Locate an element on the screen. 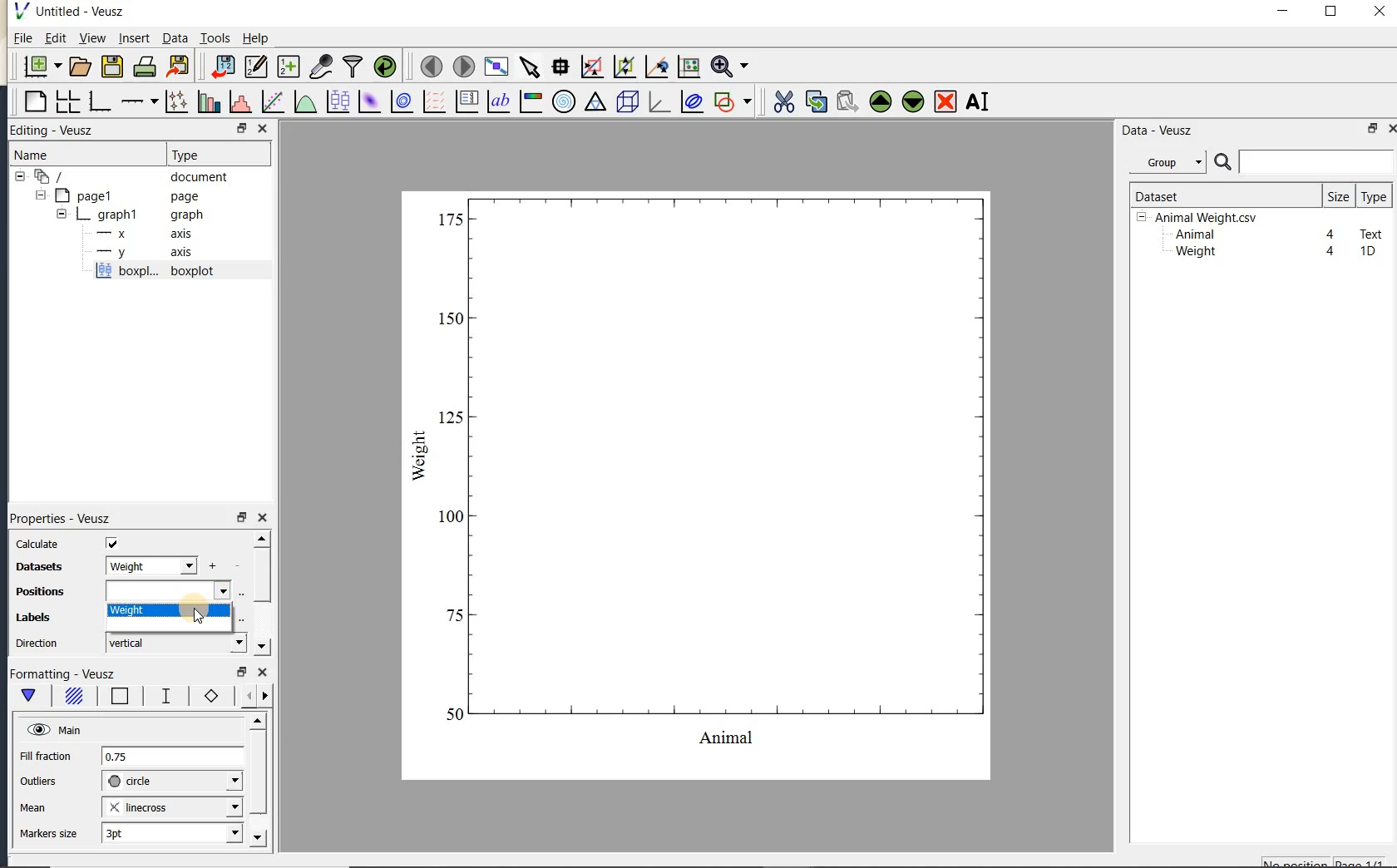 Image resolution: width=1397 pixels, height=868 pixels. search datasets is located at coordinates (1304, 162).